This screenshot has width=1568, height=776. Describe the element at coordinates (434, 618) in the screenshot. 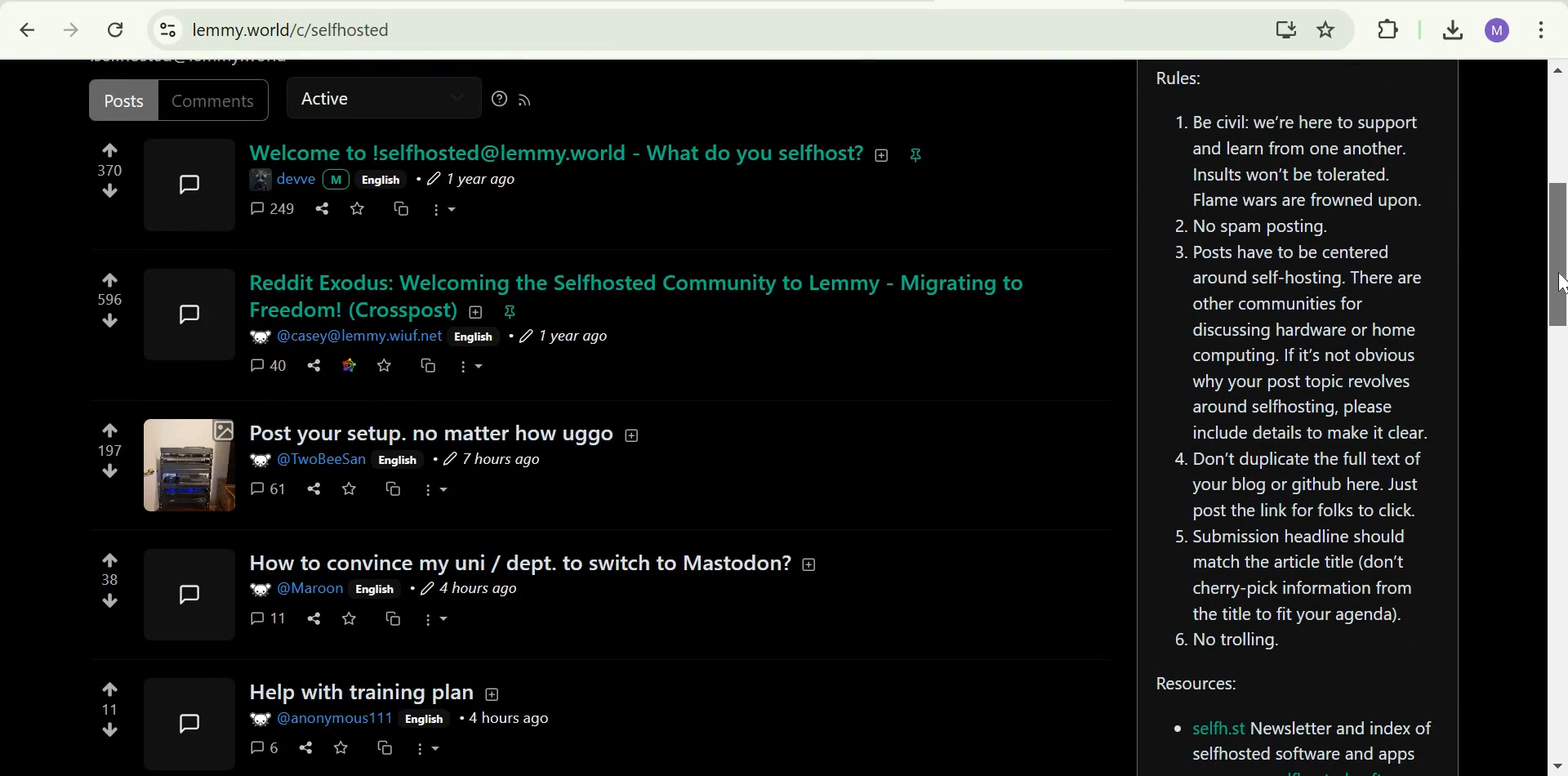

I see `more` at that location.